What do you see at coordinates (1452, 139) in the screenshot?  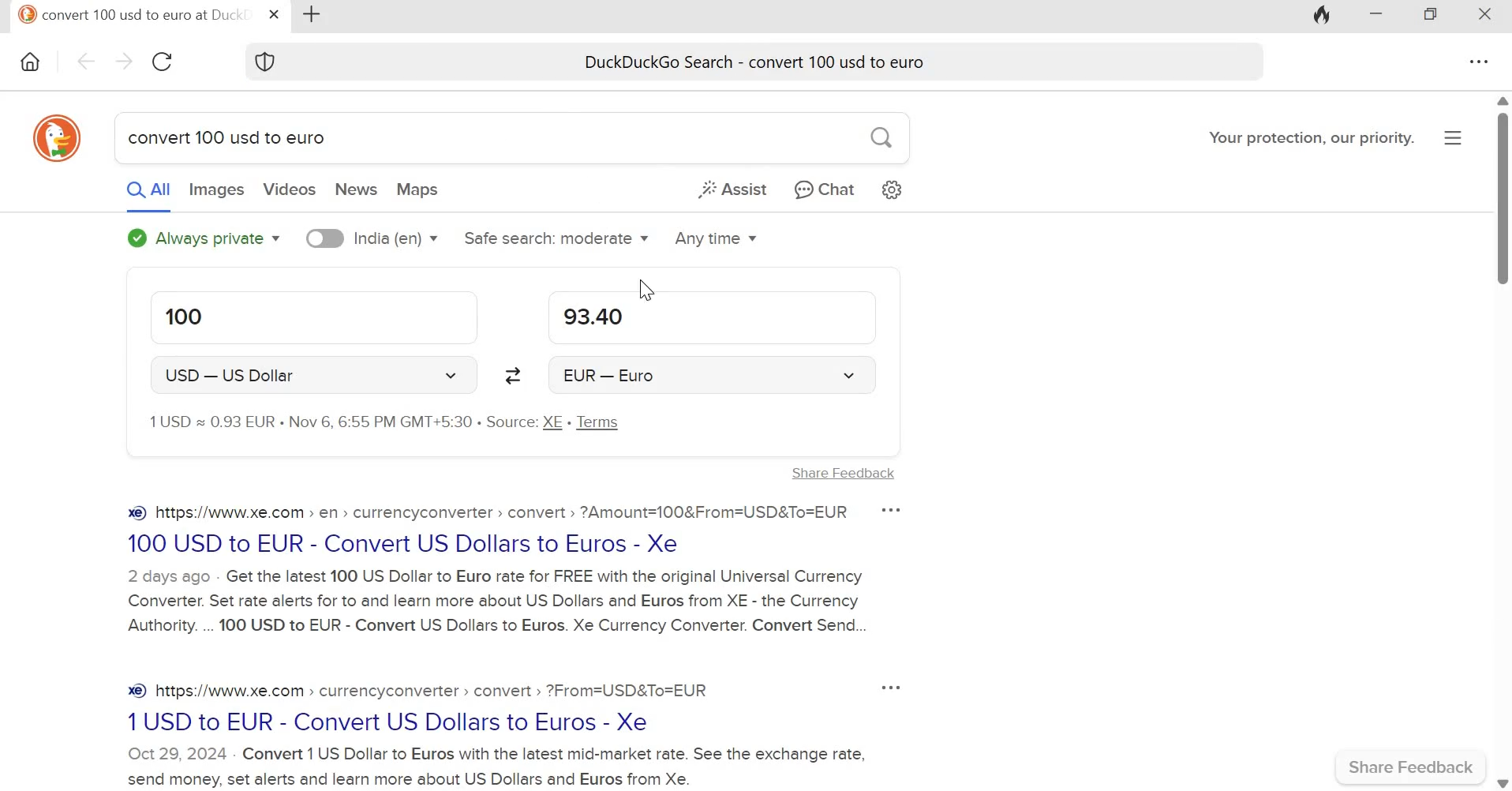 I see `Application menu` at bounding box center [1452, 139].